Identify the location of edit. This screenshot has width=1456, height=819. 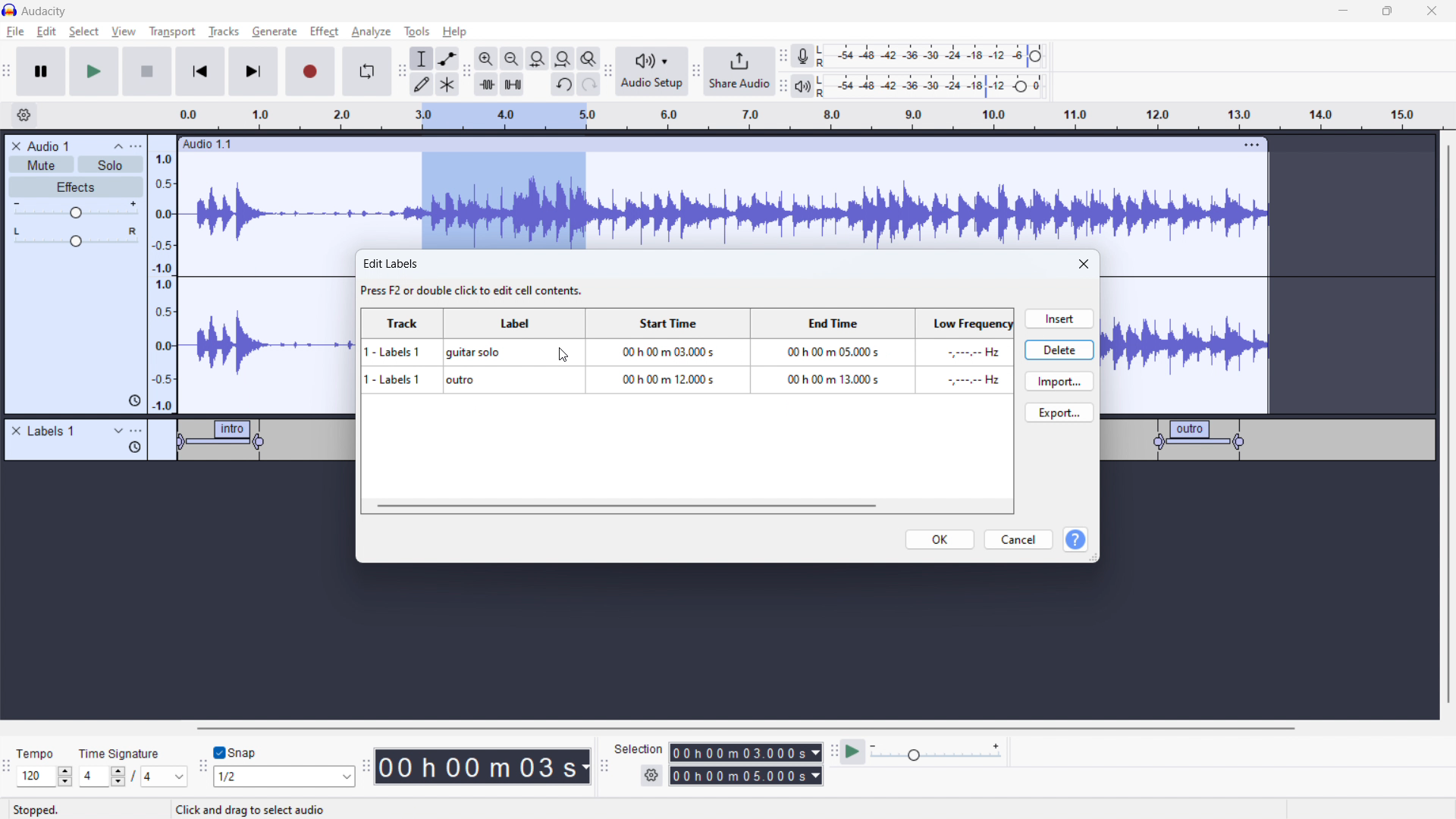
(46, 32).